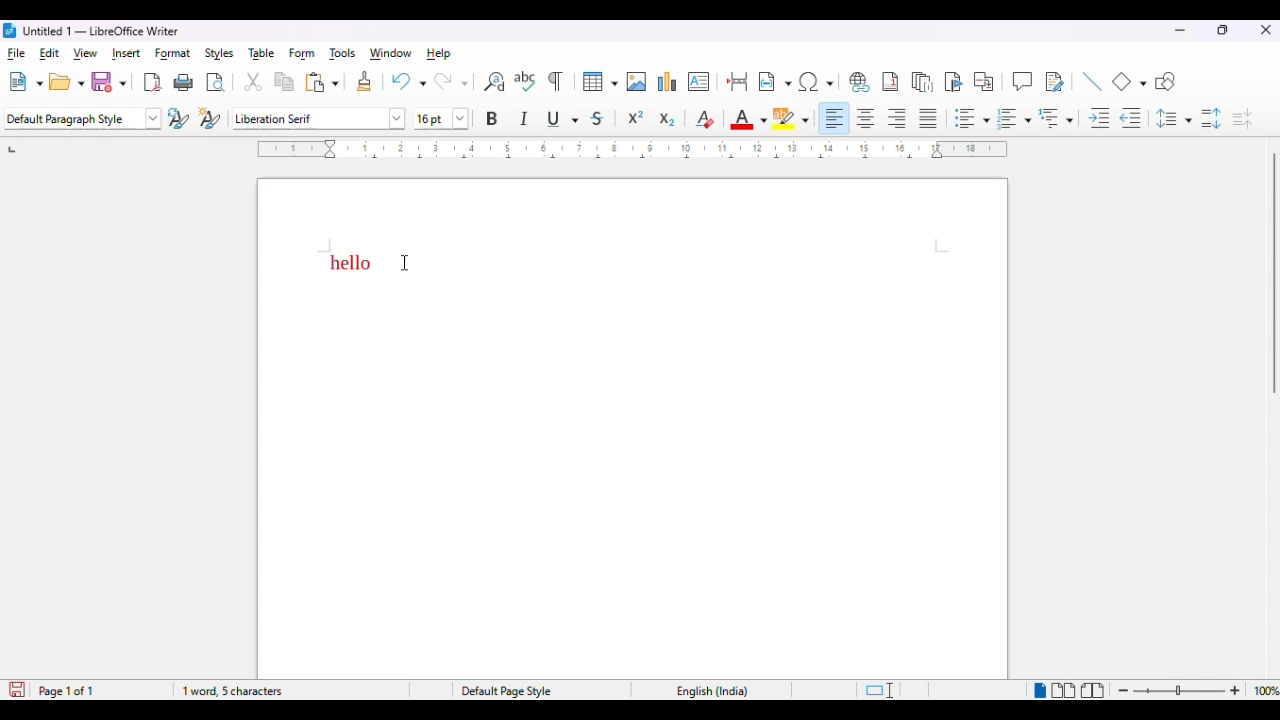 The height and width of the screenshot is (720, 1280). I want to click on copy, so click(285, 83).